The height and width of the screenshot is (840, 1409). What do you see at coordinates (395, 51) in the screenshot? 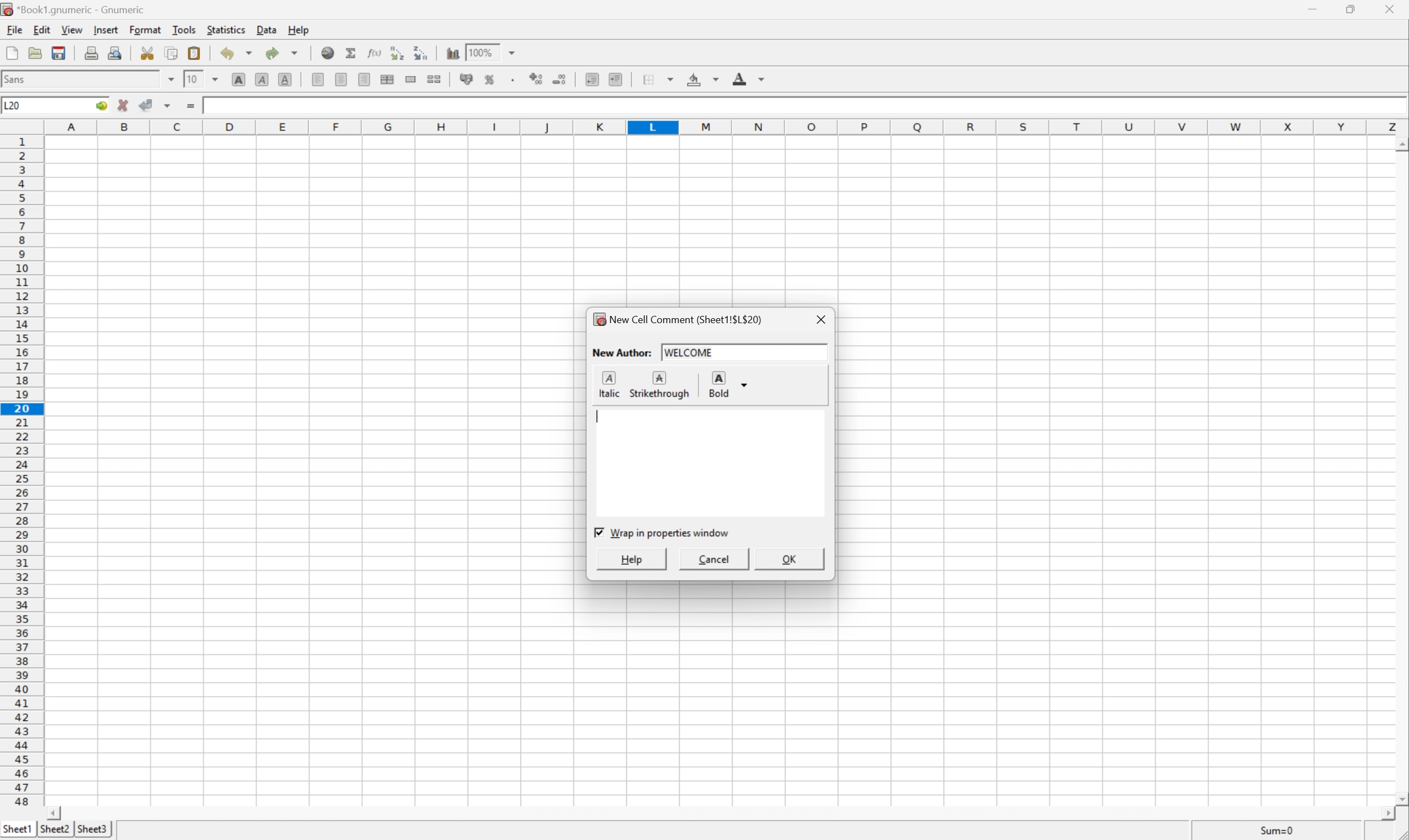
I see `Sort the selected region in ascending order based on the first column selected` at bounding box center [395, 51].